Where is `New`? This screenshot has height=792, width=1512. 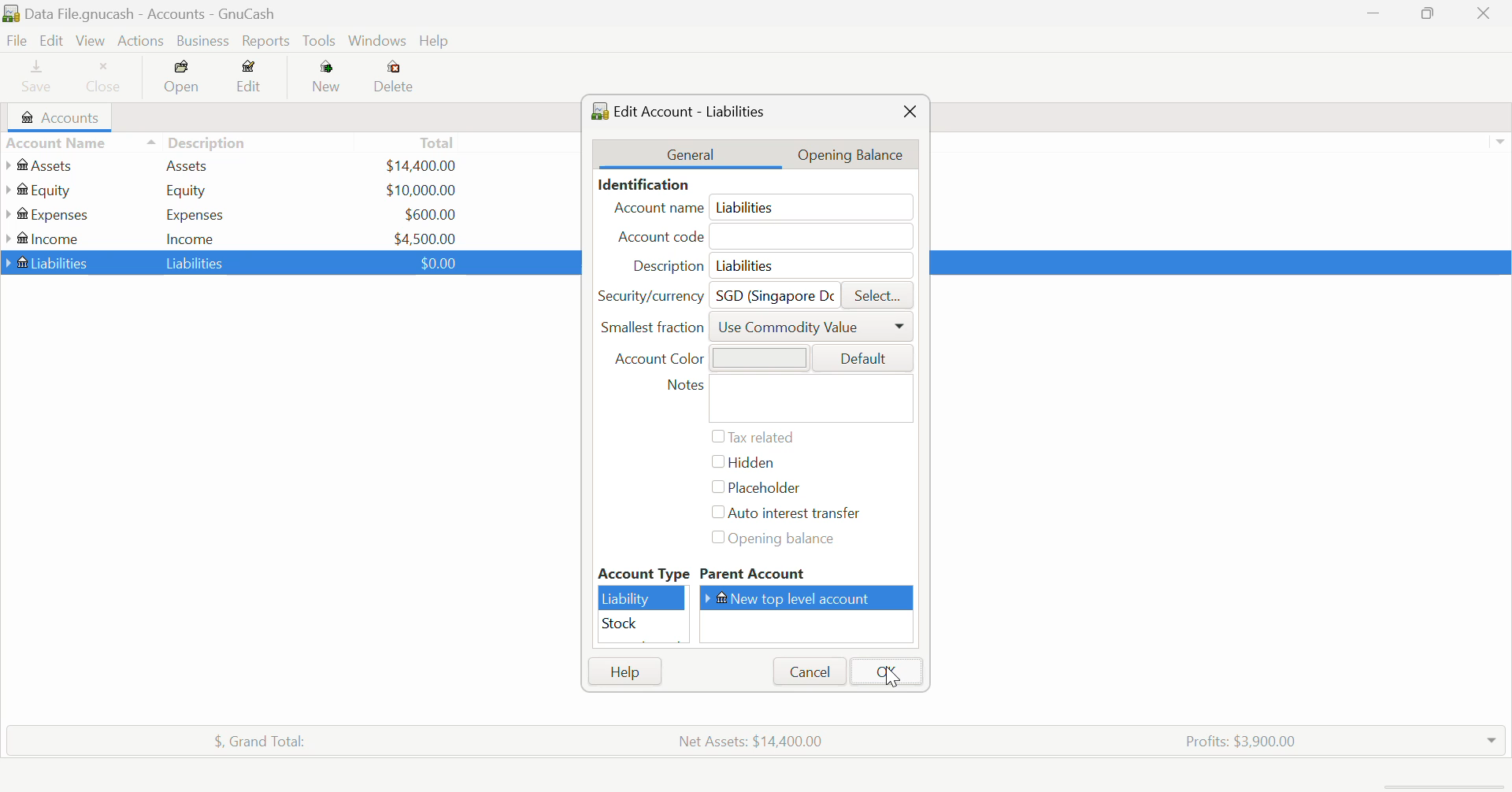
New is located at coordinates (328, 80).